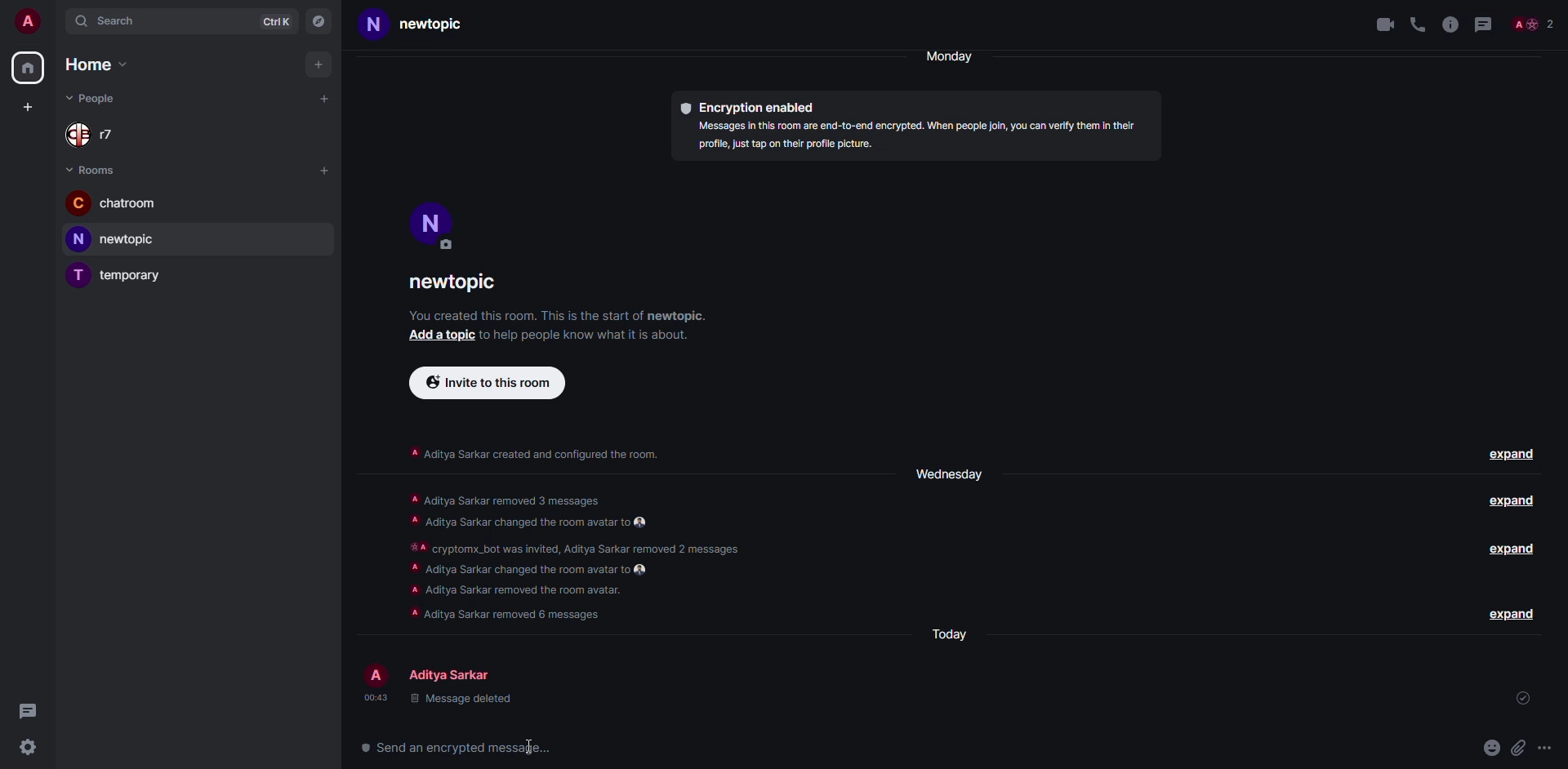 The width and height of the screenshot is (1568, 769). I want to click on invite to this room, so click(488, 383).